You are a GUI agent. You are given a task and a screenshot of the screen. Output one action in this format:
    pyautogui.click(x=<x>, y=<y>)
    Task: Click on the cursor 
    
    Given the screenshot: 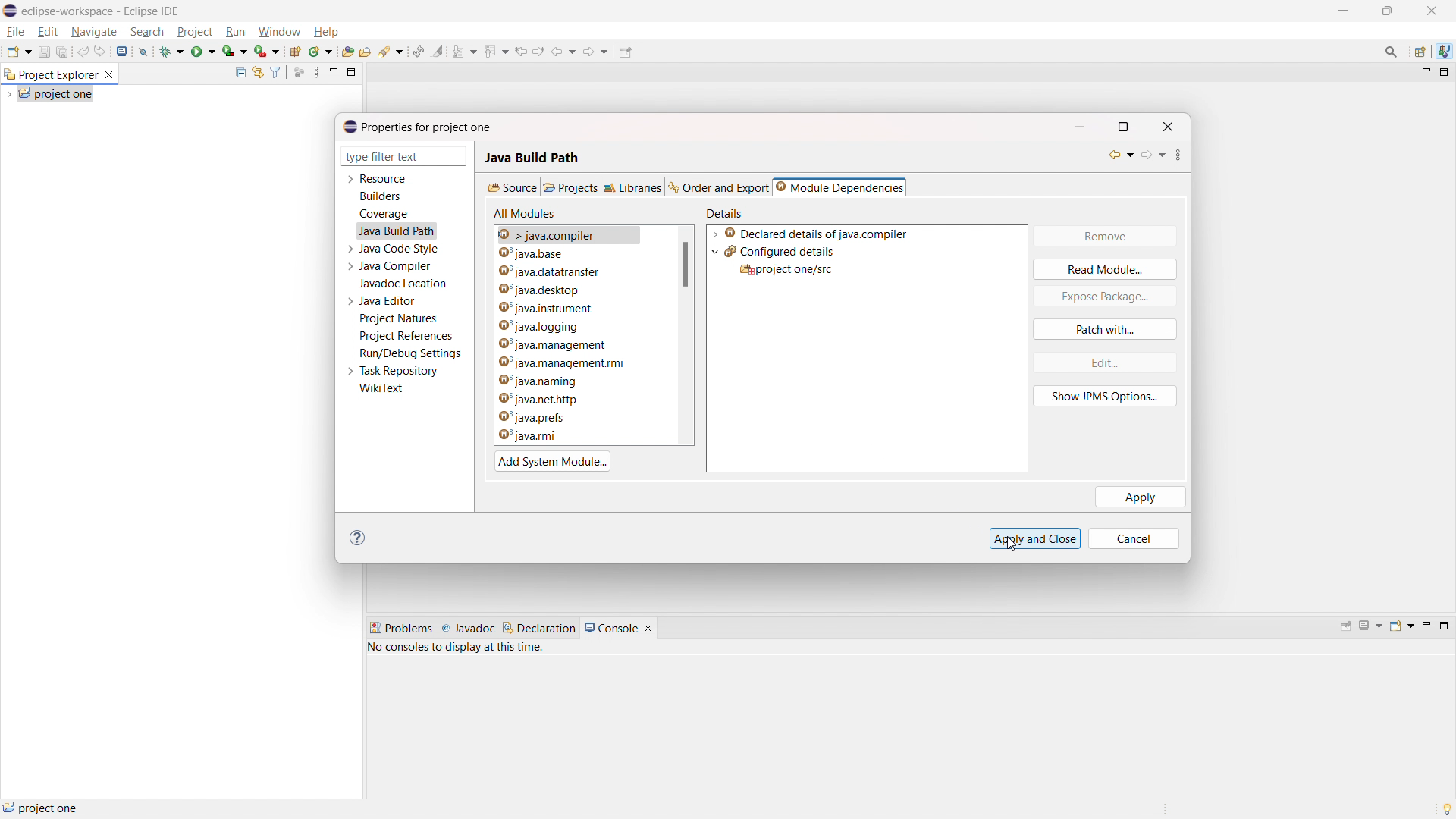 What is the action you would take?
    pyautogui.click(x=1012, y=548)
    